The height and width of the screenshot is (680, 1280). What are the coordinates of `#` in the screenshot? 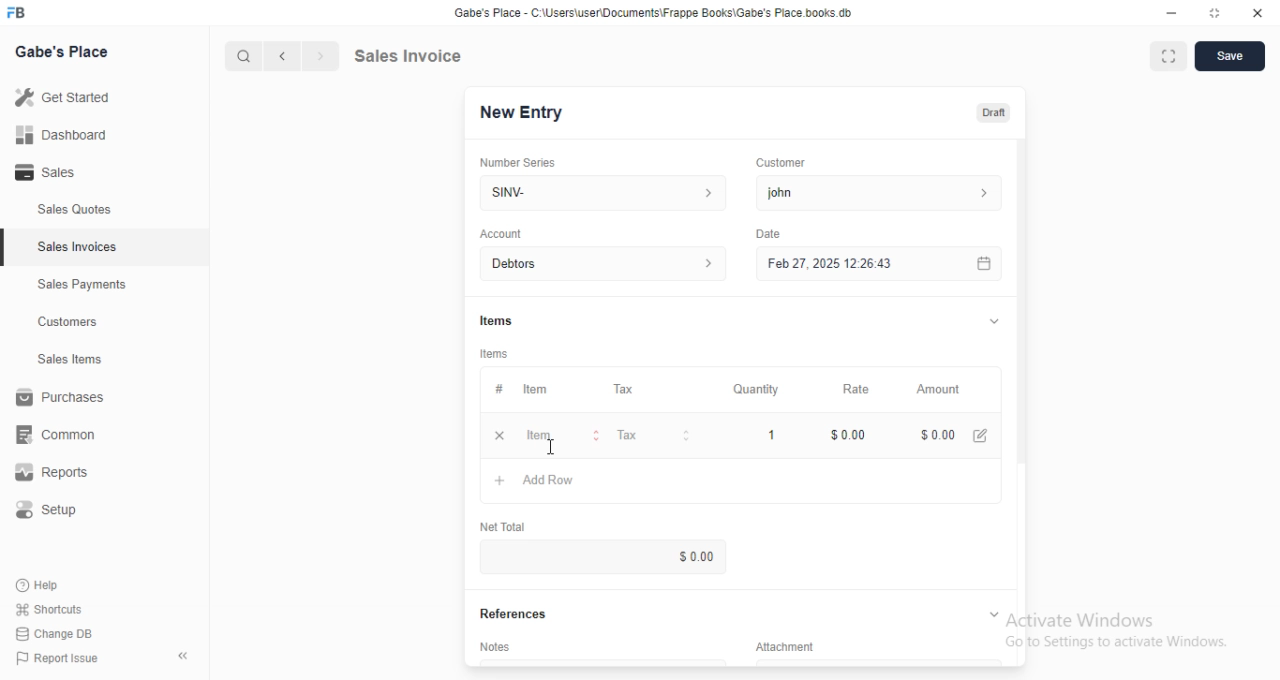 It's located at (498, 390).